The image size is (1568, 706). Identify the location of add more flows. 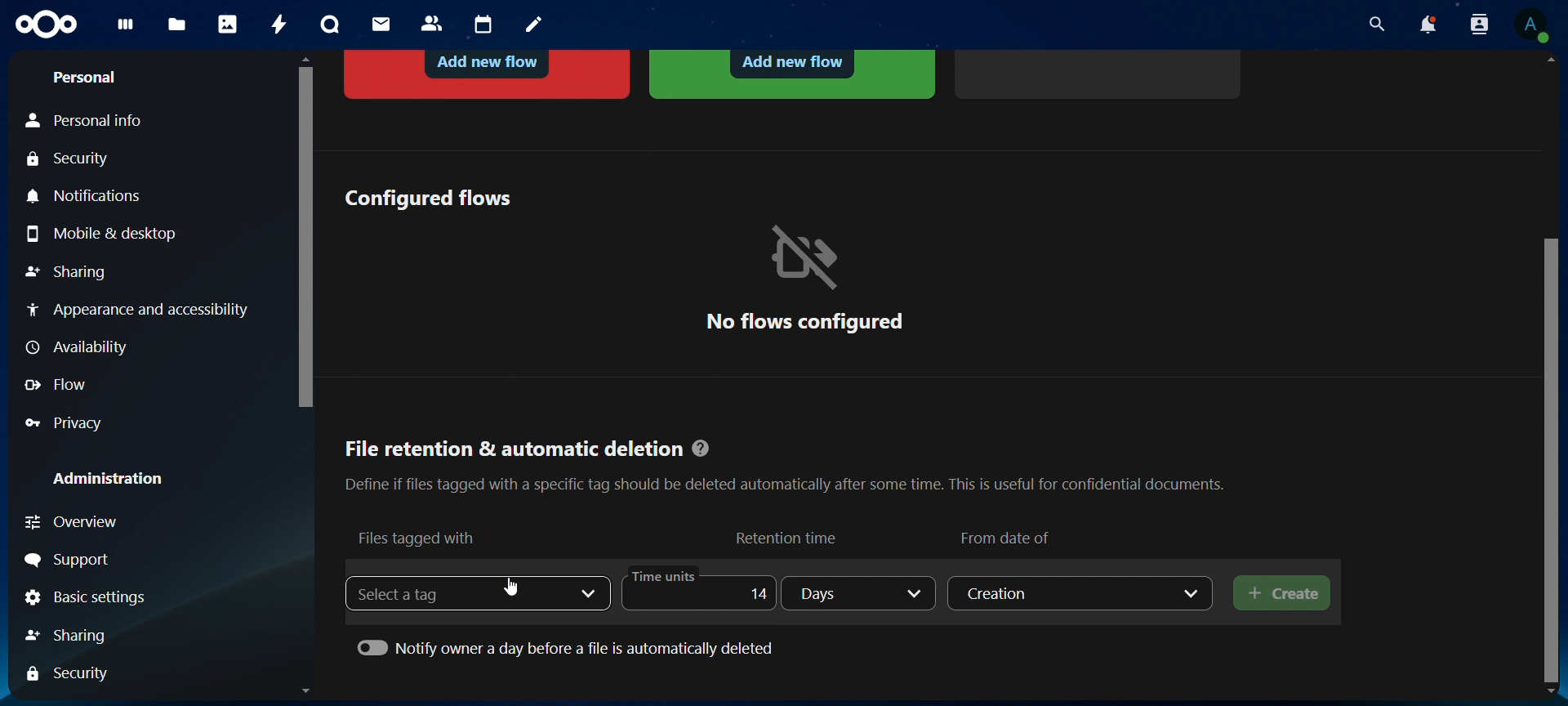
(1101, 72).